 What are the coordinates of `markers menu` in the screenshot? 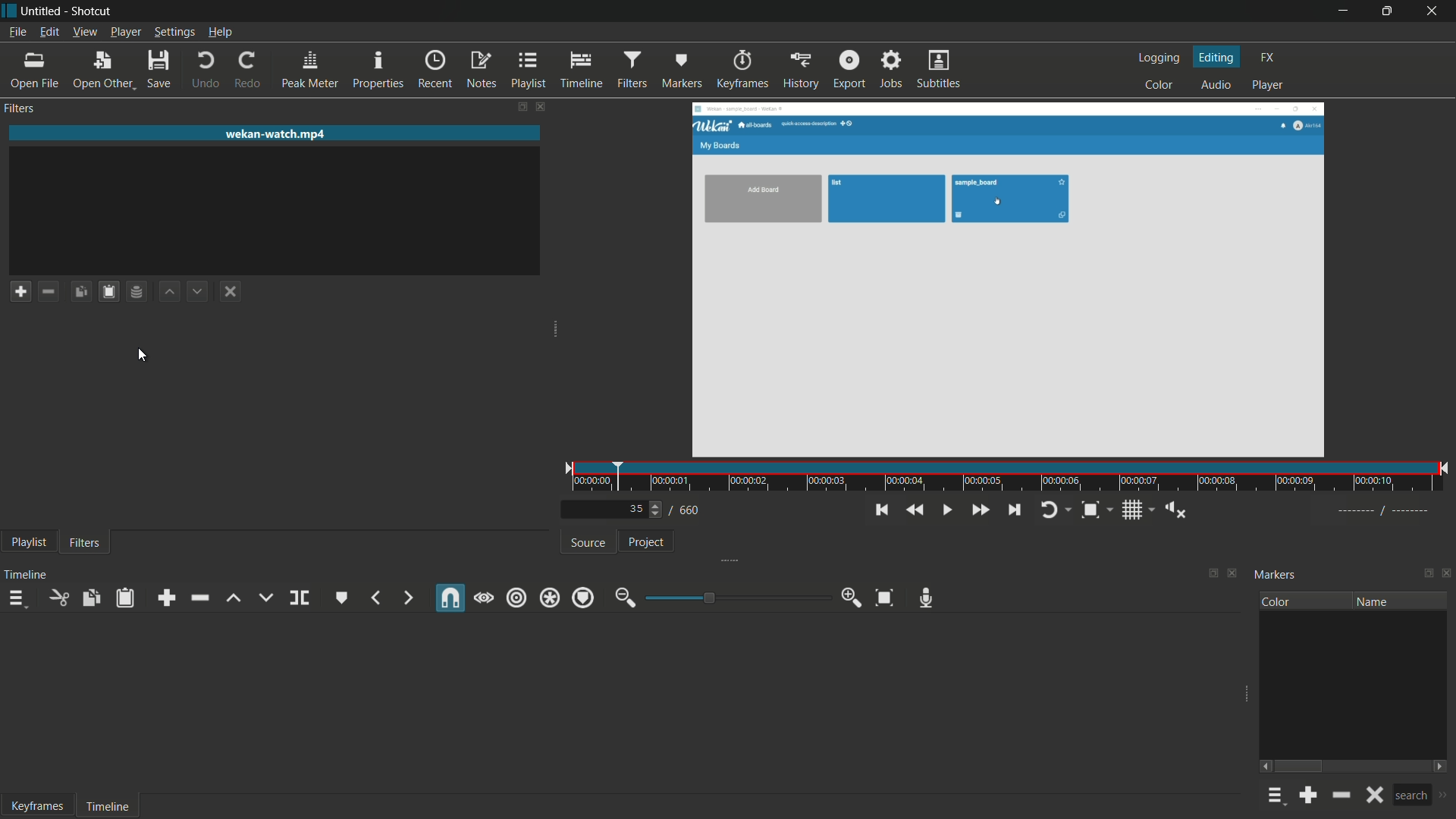 It's located at (1274, 796).